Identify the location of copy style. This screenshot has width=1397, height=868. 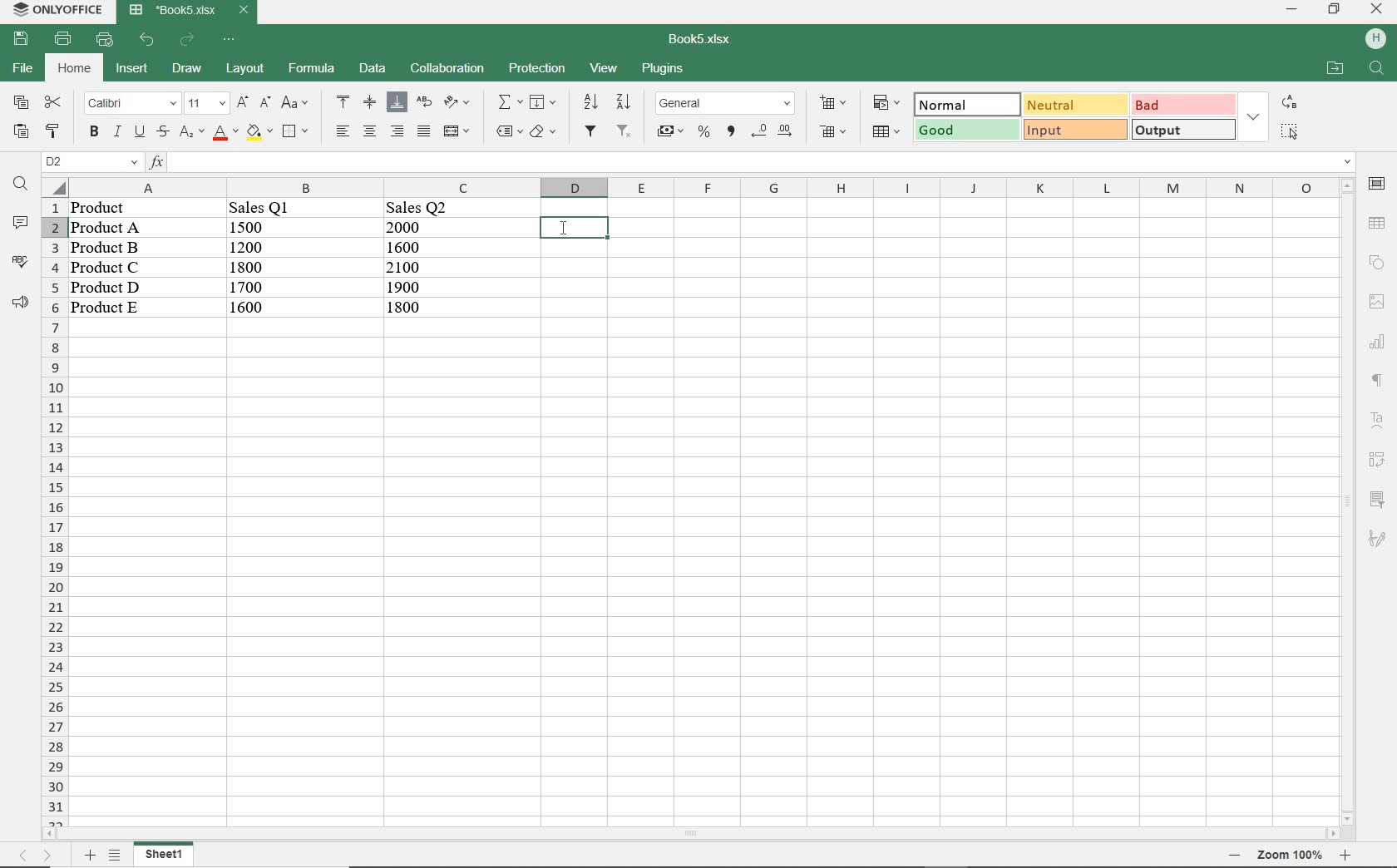
(51, 131).